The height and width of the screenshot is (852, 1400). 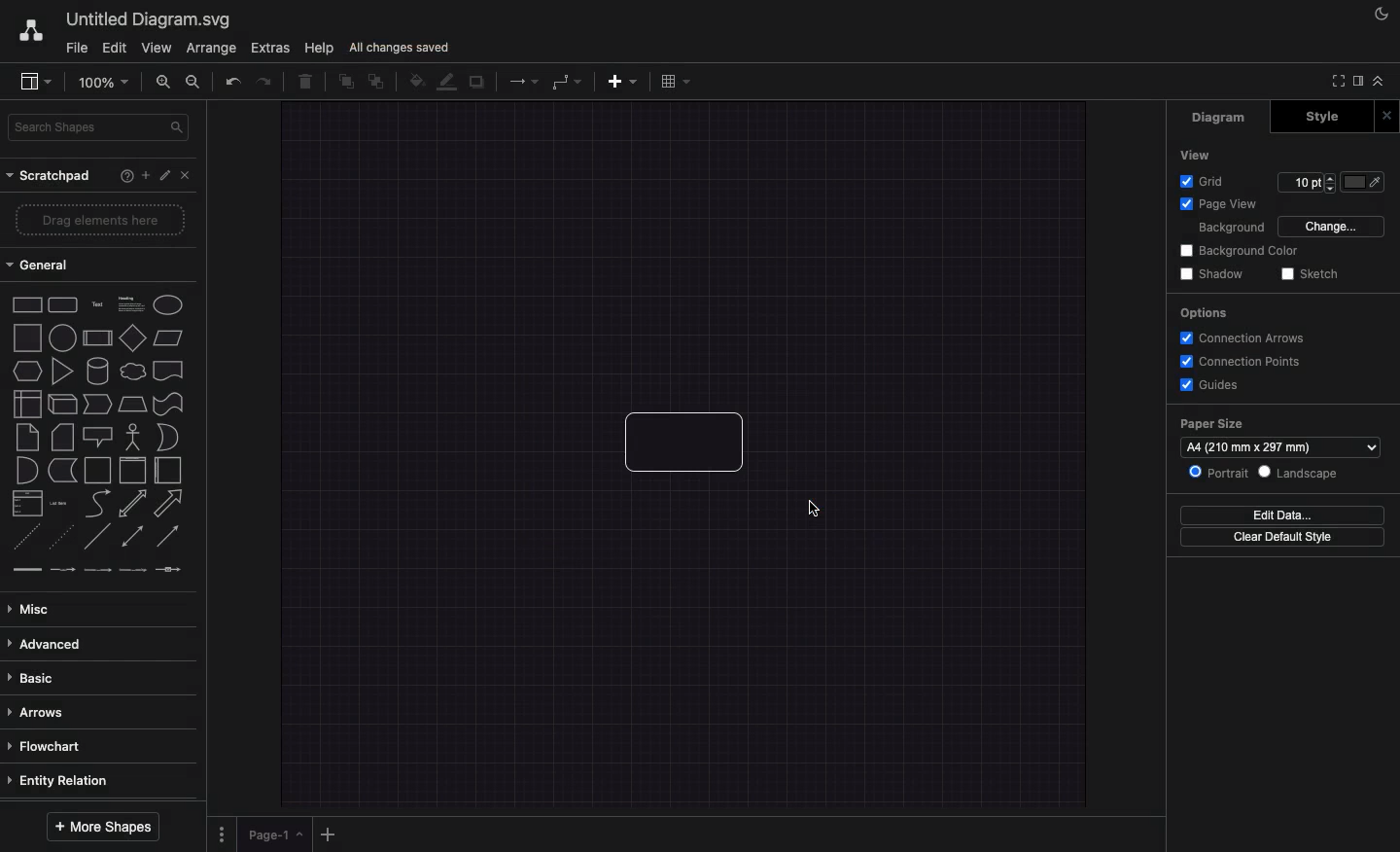 I want to click on Zoom out, so click(x=194, y=82).